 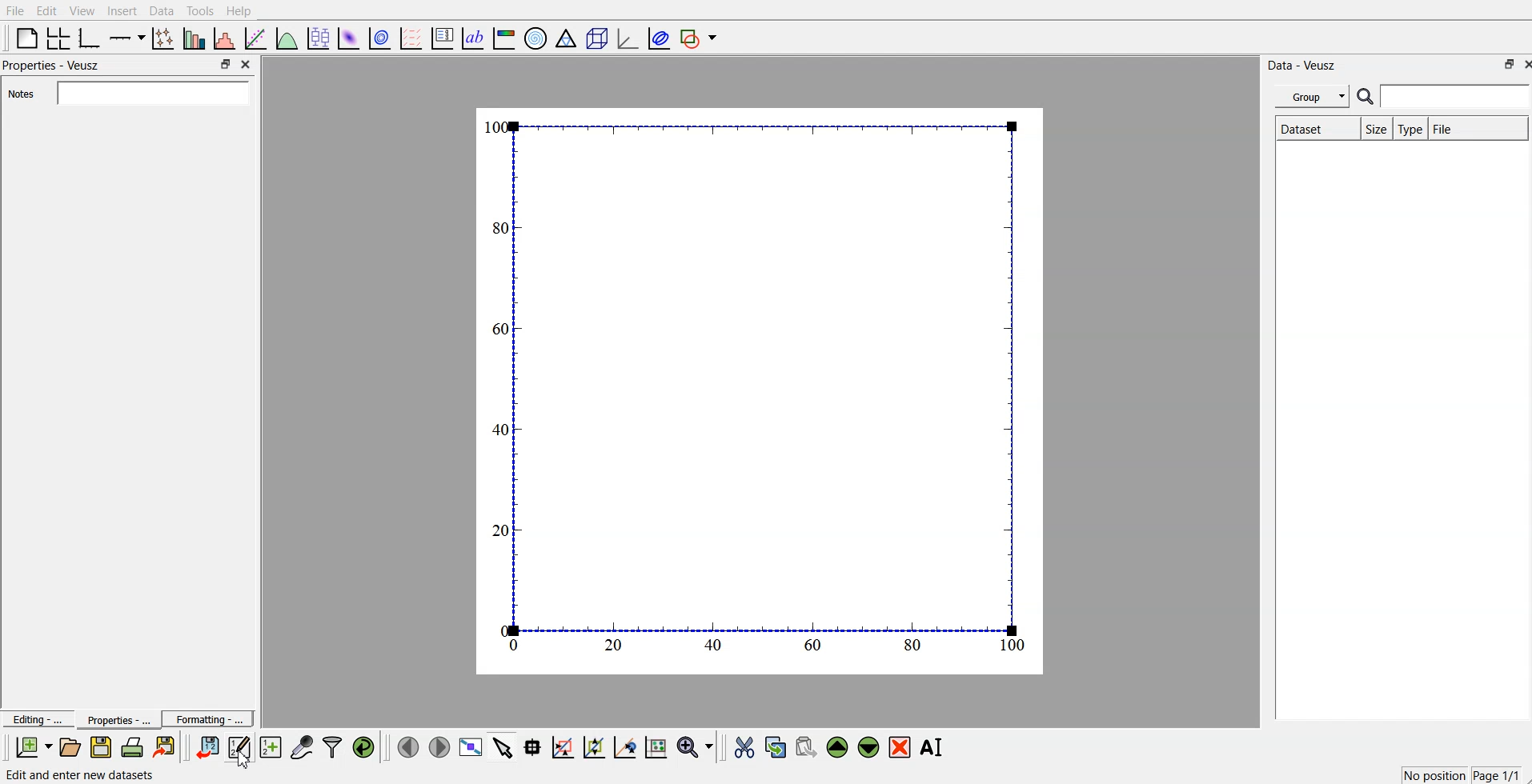 What do you see at coordinates (1522, 64) in the screenshot?
I see `Close` at bounding box center [1522, 64].